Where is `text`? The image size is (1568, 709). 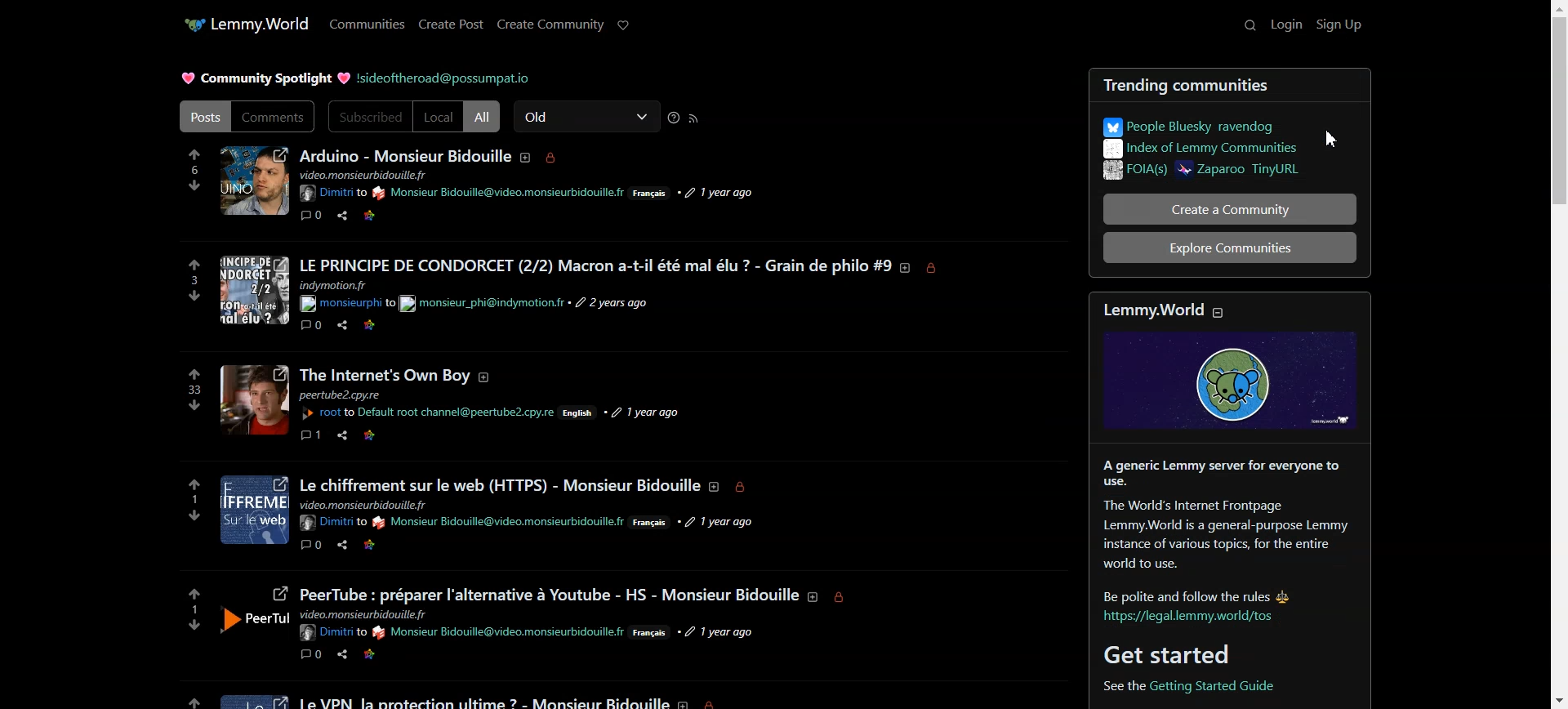
text is located at coordinates (368, 175).